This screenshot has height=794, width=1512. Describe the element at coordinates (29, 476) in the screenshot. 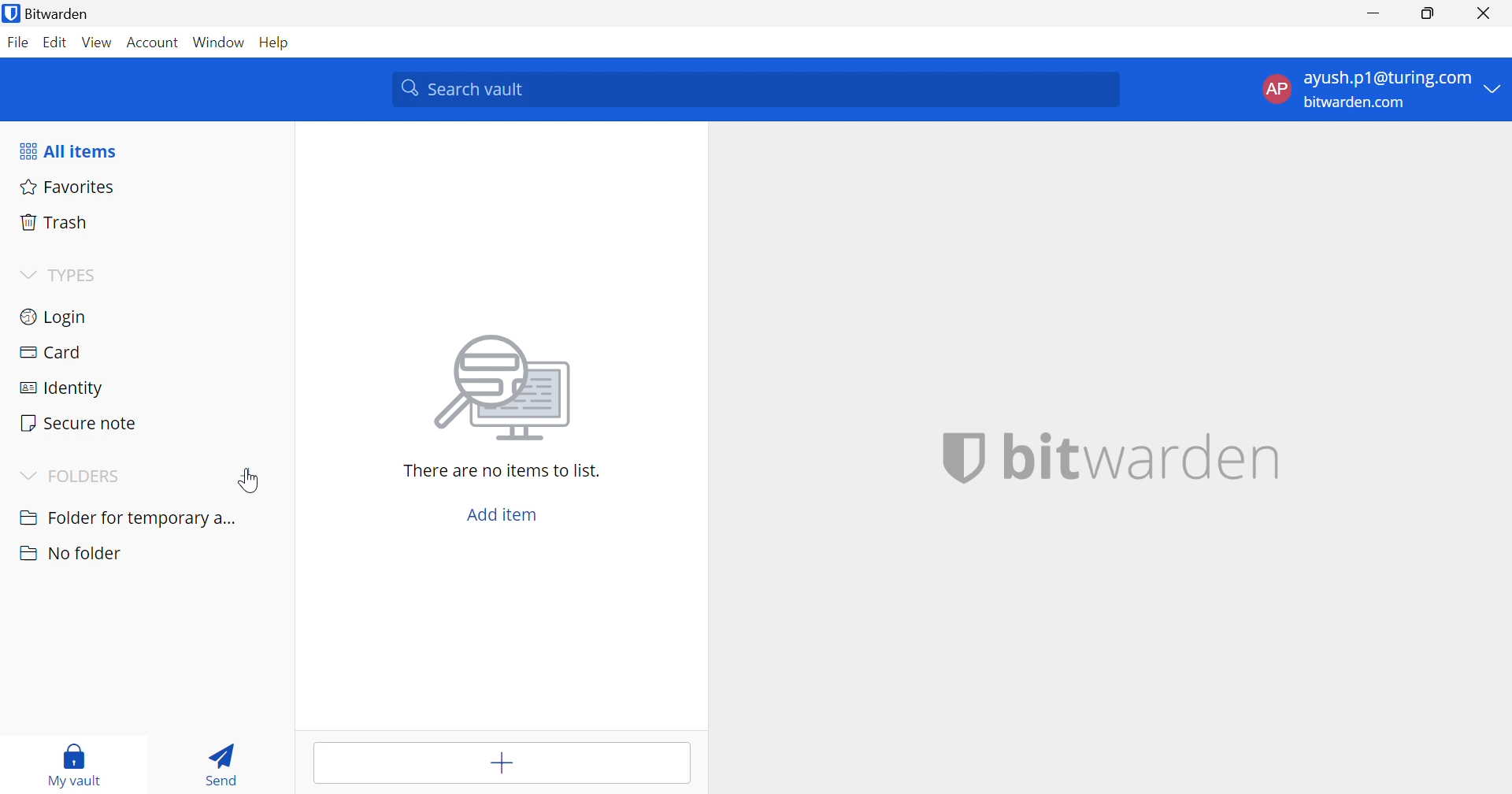

I see `Drop Down` at that location.